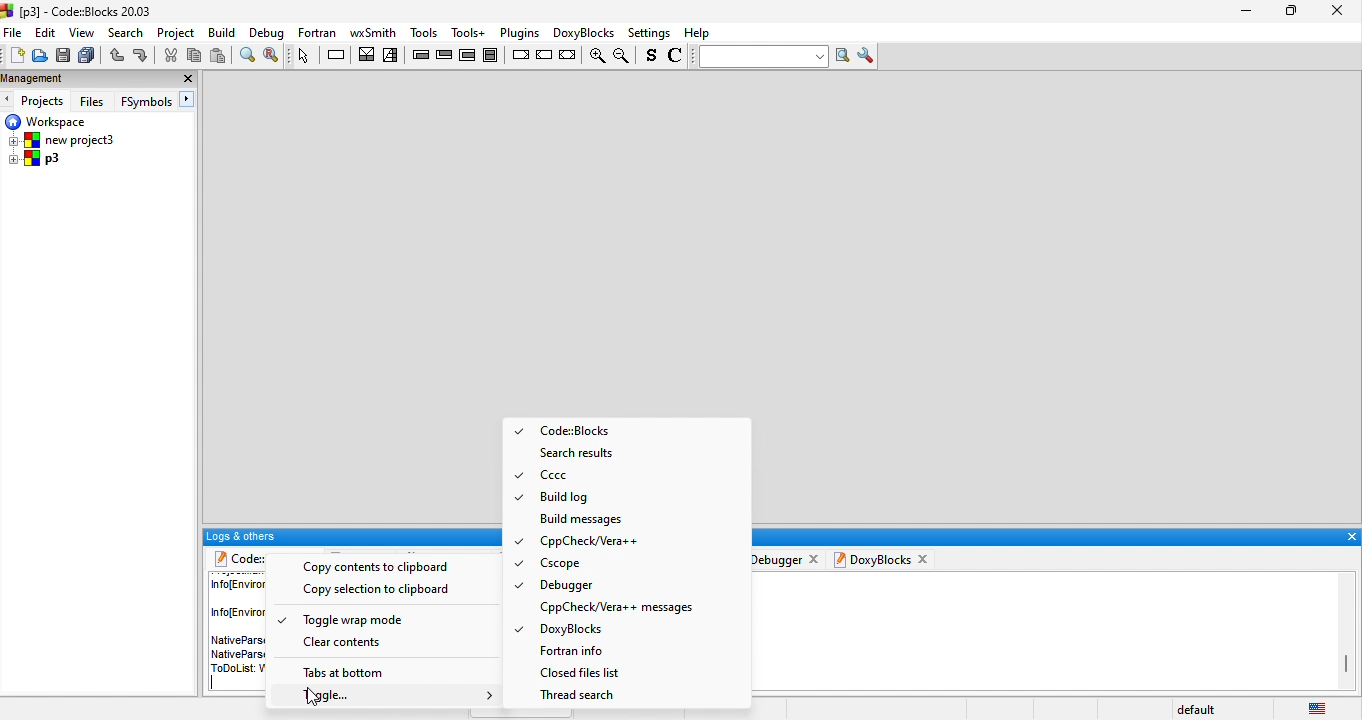 The image size is (1362, 720). Describe the element at coordinates (115, 56) in the screenshot. I see `undo` at that location.